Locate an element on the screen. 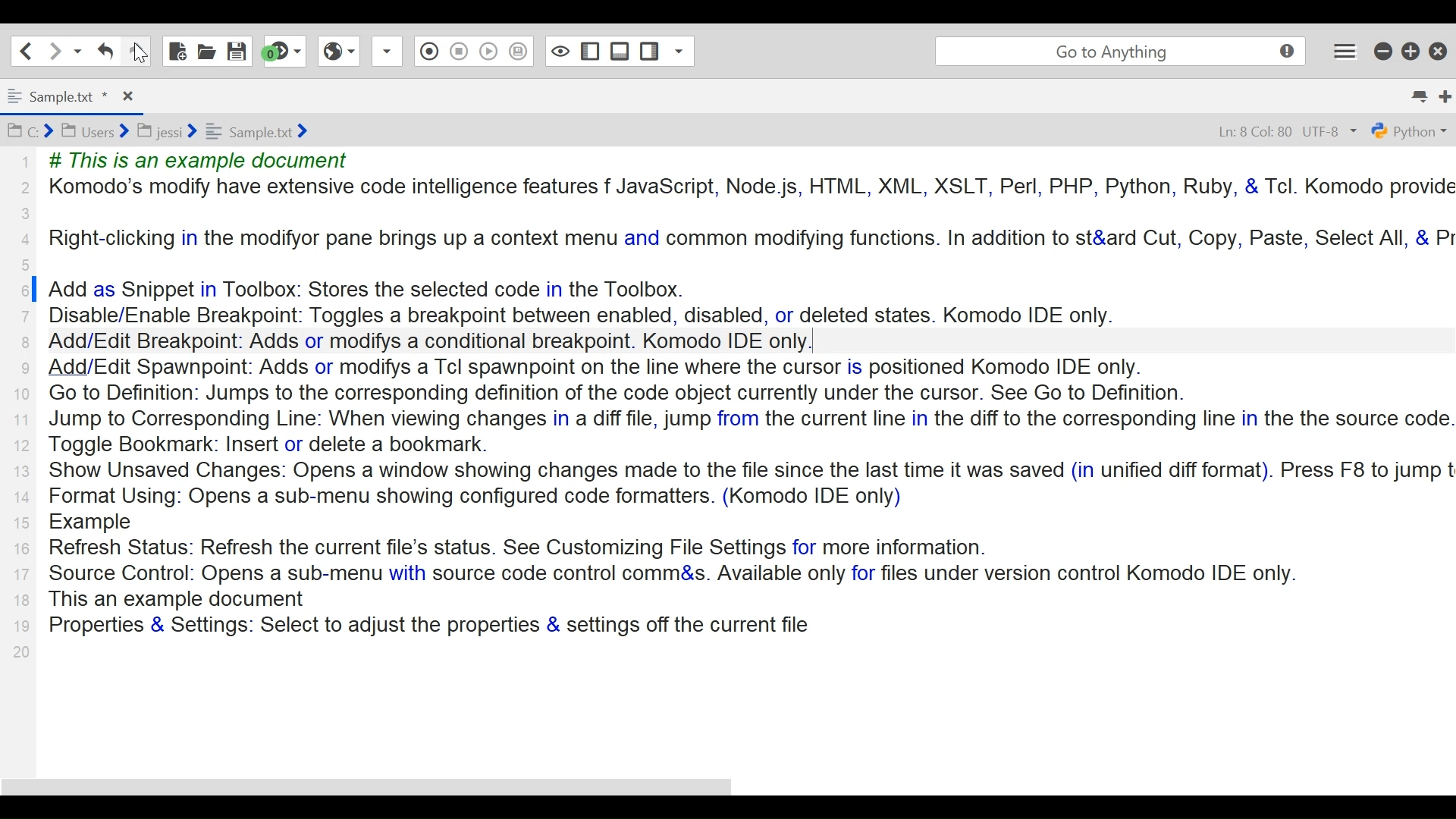 This screenshot has width=1456, height=819. Horizontal Scroll bar is located at coordinates (364, 790).